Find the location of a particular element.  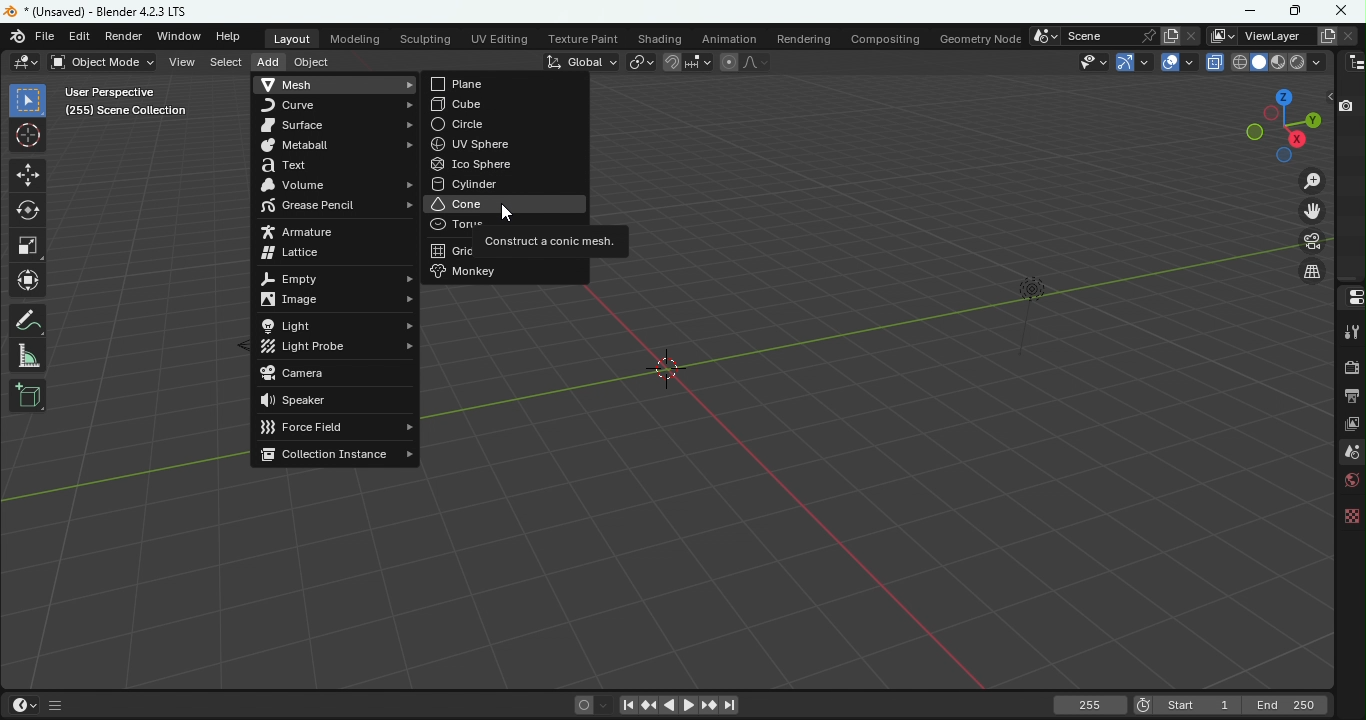

Circle is located at coordinates (506, 124).